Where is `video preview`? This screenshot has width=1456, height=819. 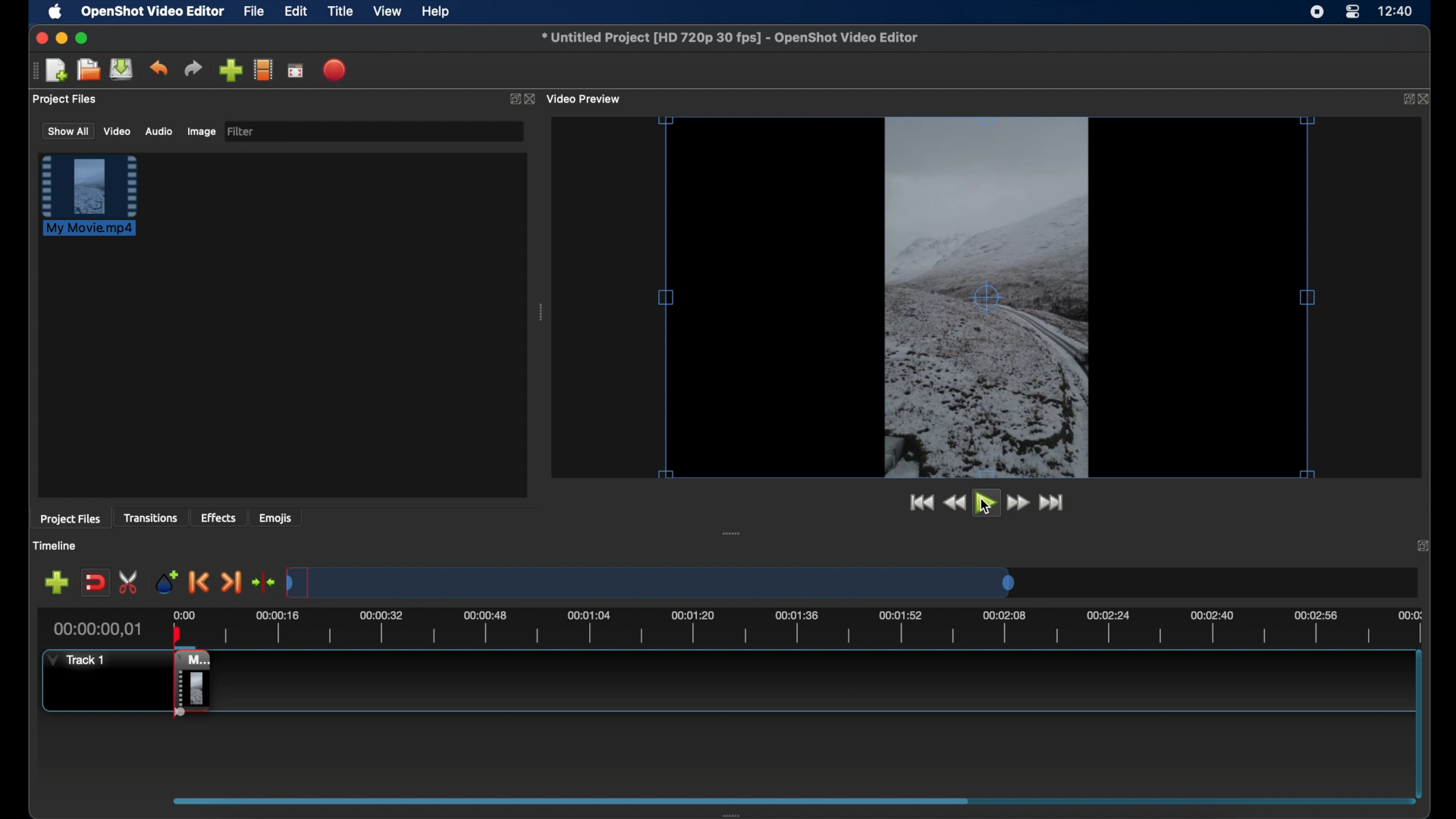 video preview is located at coordinates (585, 99).